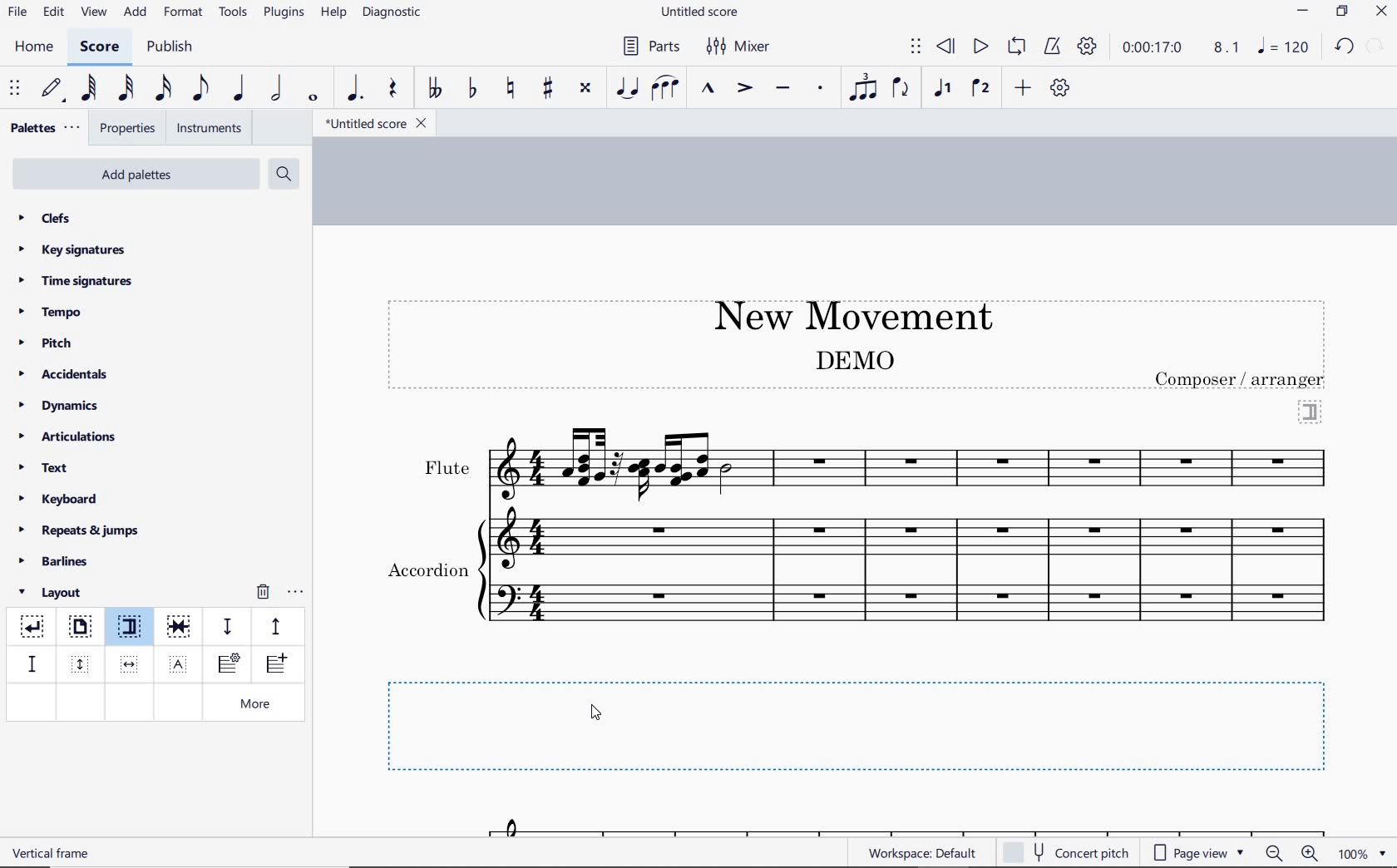 The height and width of the screenshot is (868, 1397). What do you see at coordinates (274, 666) in the screenshot?
I see `insert one measure before selection` at bounding box center [274, 666].